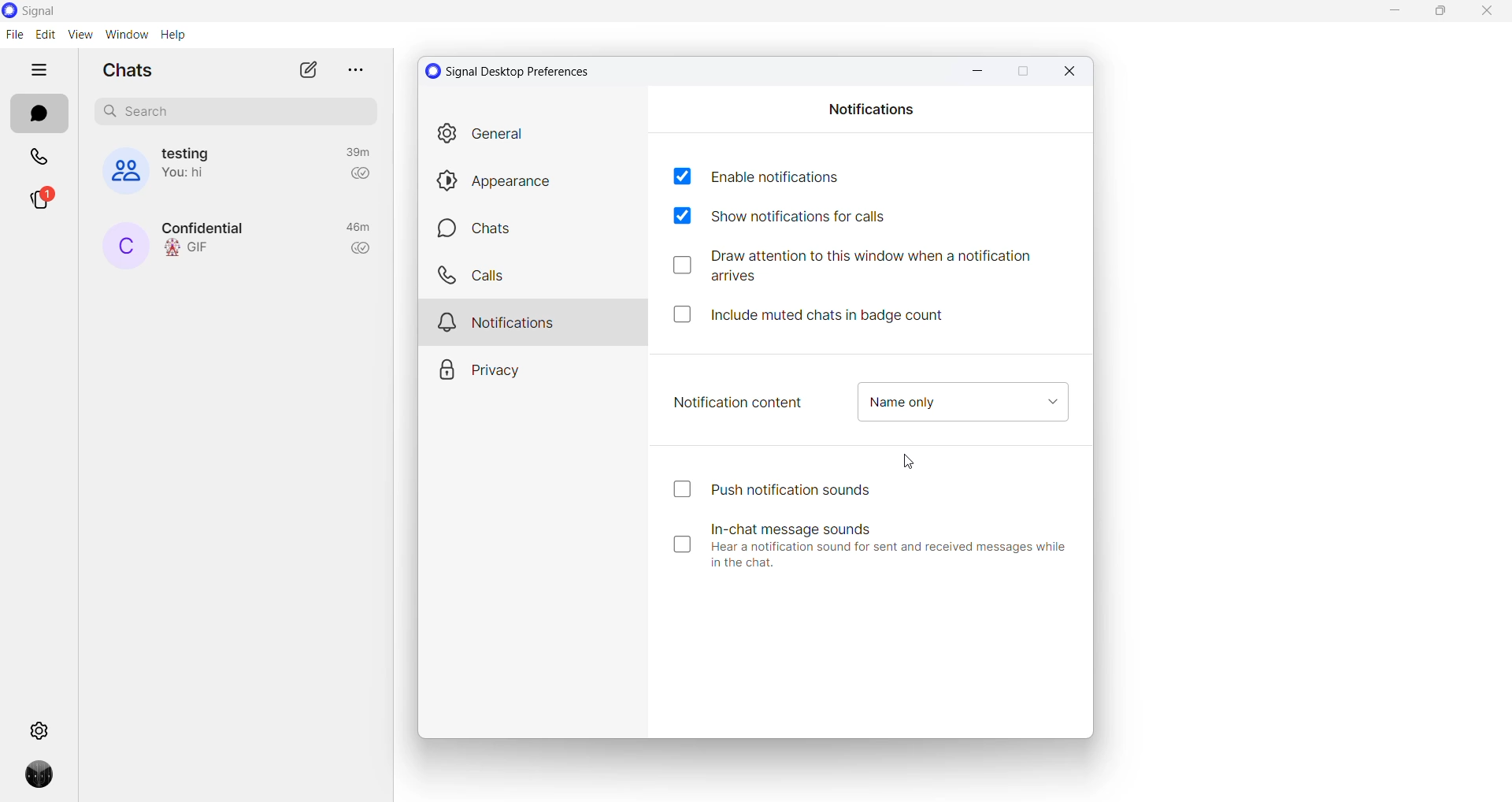  I want to click on notification, so click(536, 319).